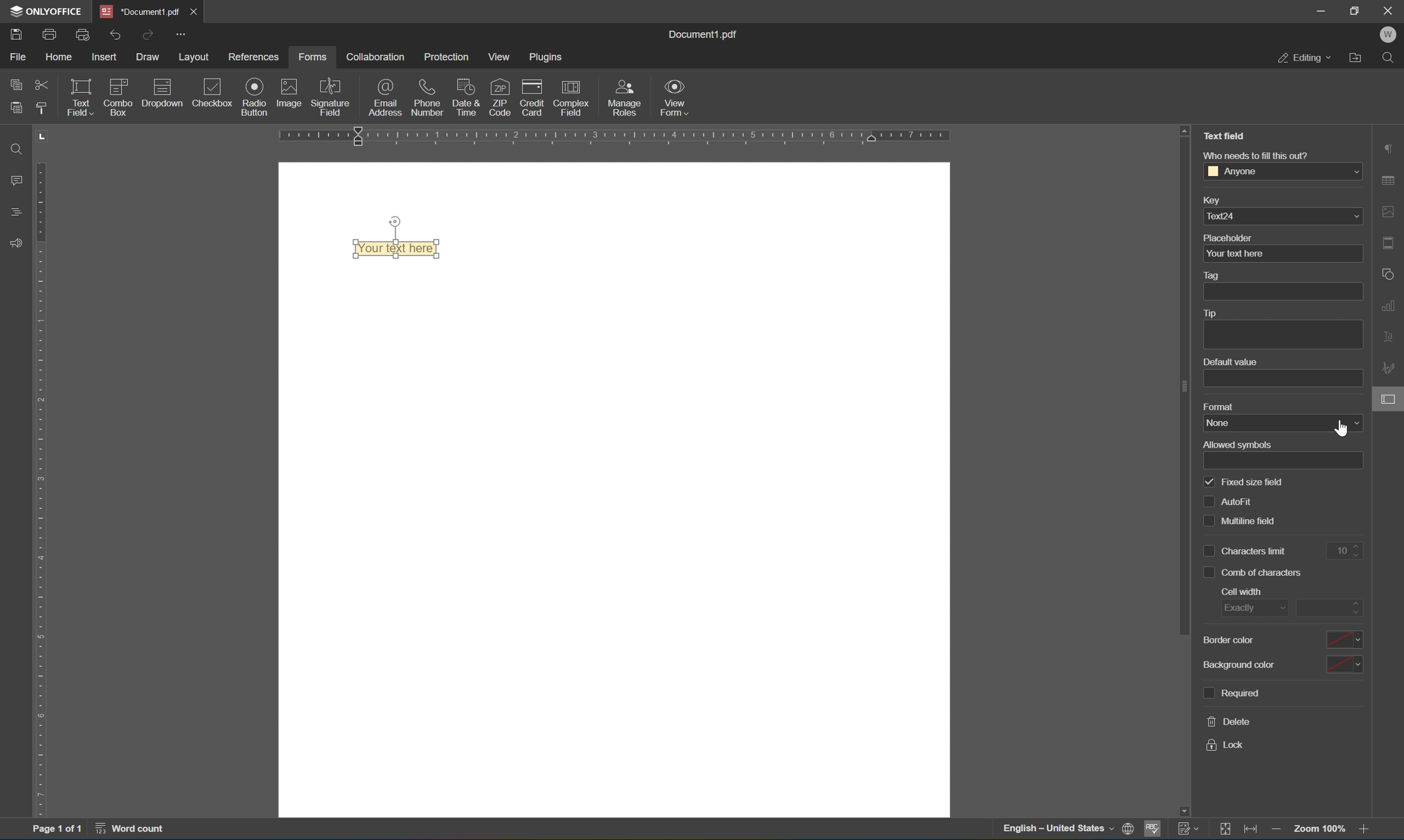 The width and height of the screenshot is (1404, 840). Describe the element at coordinates (196, 58) in the screenshot. I see `layout` at that location.